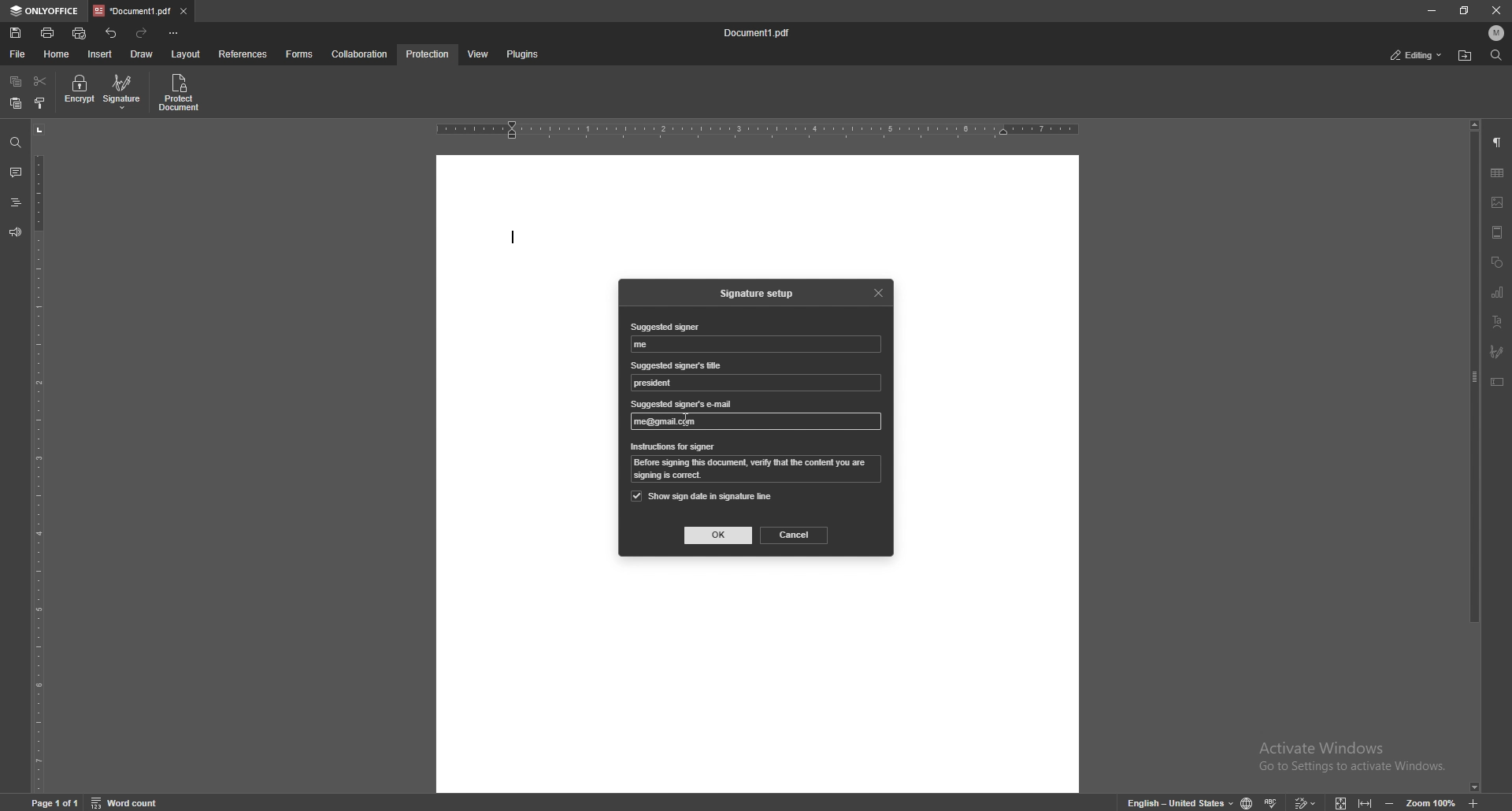 This screenshot has height=811, width=1512. Describe the element at coordinates (1497, 232) in the screenshot. I see `header and footer` at that location.